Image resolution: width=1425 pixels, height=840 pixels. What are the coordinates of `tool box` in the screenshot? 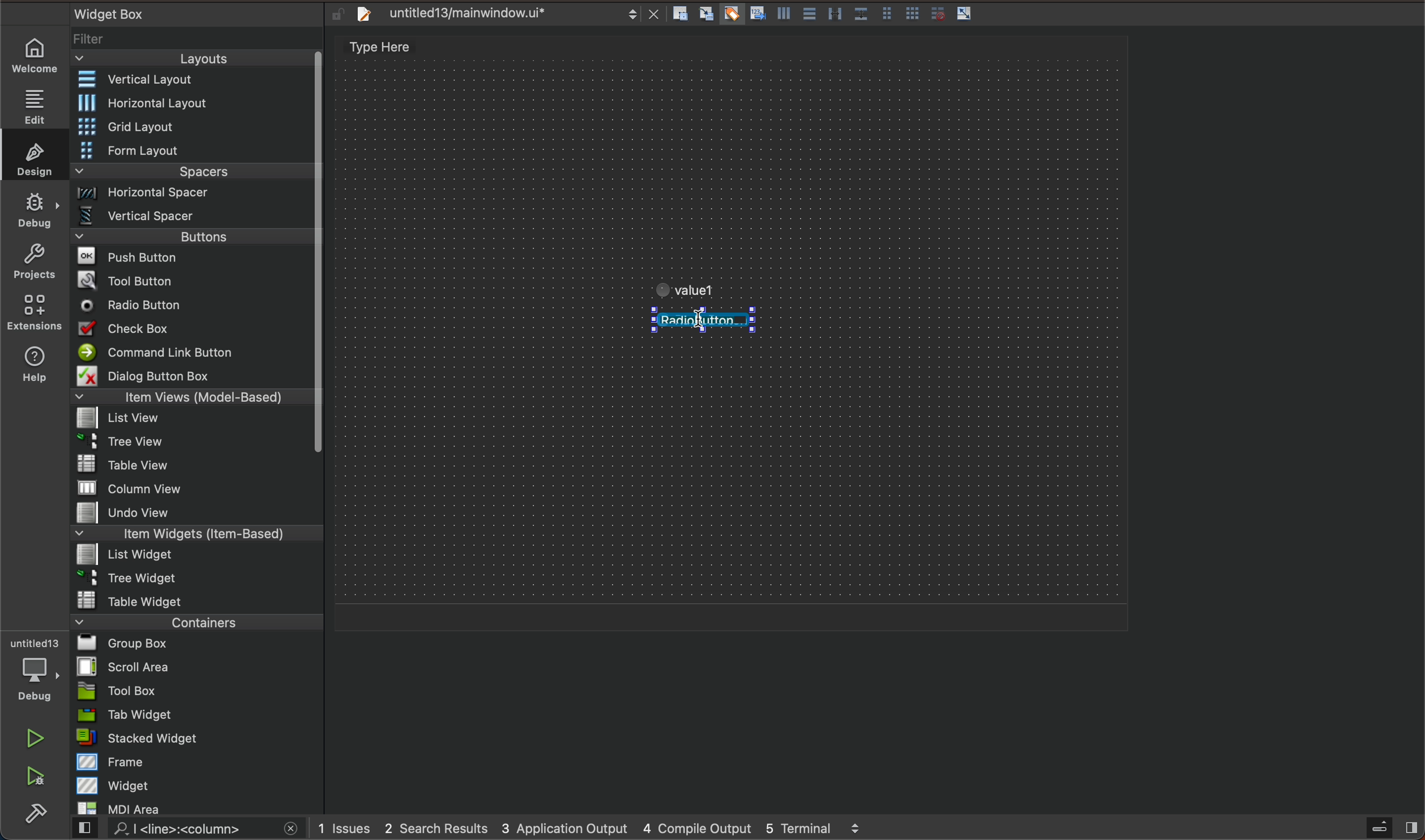 It's located at (197, 691).